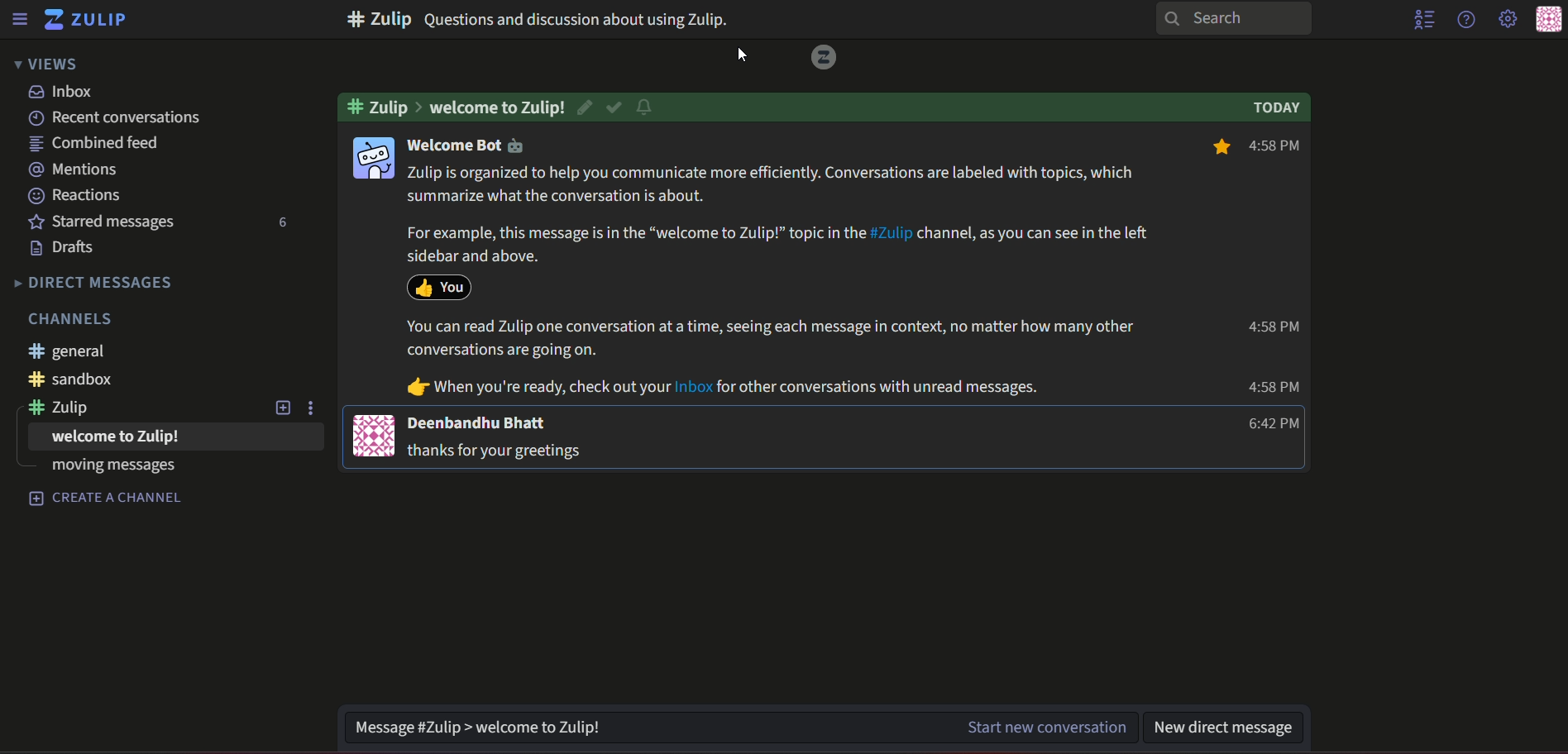 This screenshot has height=754, width=1568. Describe the element at coordinates (1547, 19) in the screenshot. I see `personal menu` at that location.